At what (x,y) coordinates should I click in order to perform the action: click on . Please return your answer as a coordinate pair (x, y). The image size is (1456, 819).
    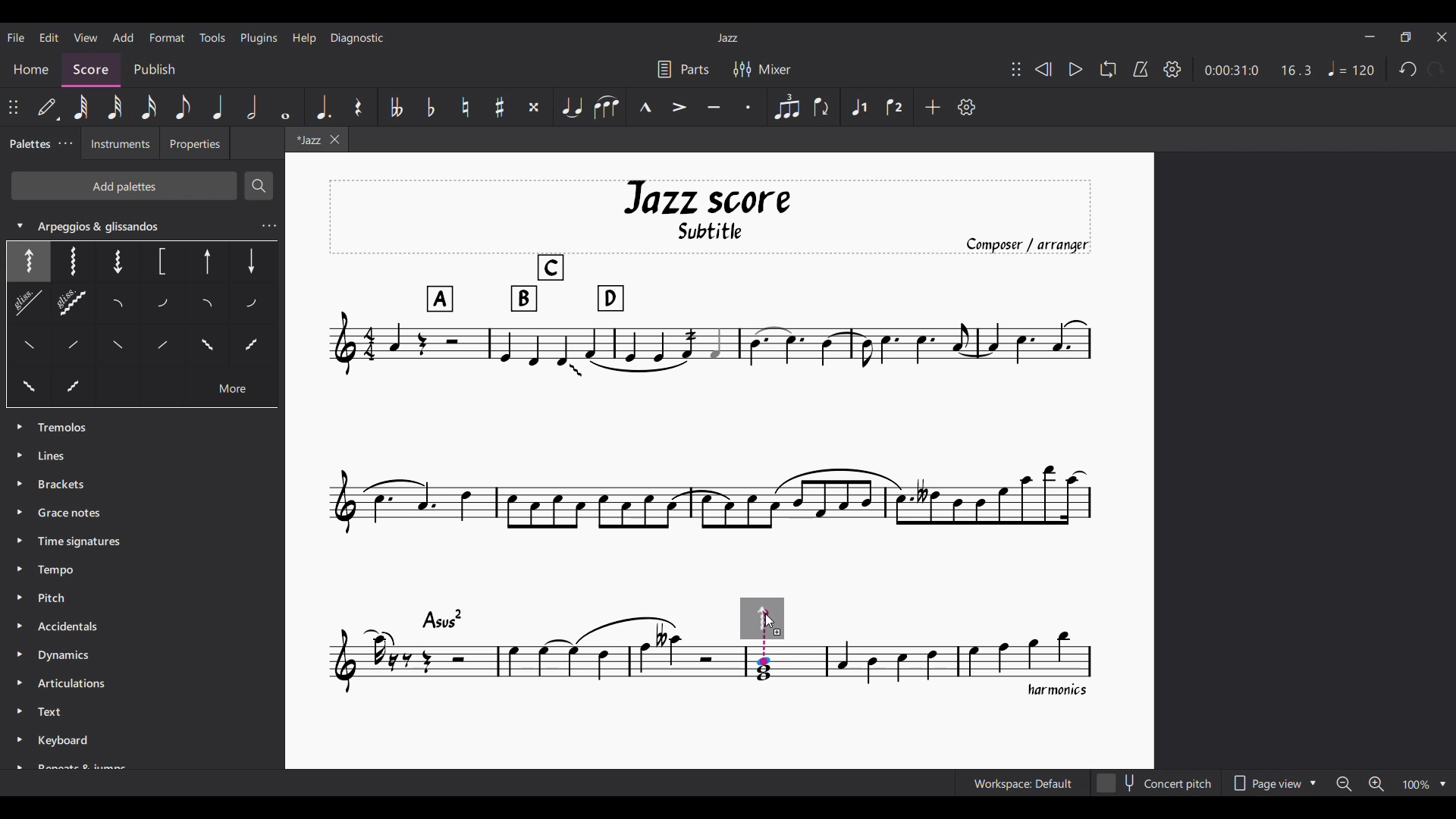
    Looking at the image, I should click on (252, 306).